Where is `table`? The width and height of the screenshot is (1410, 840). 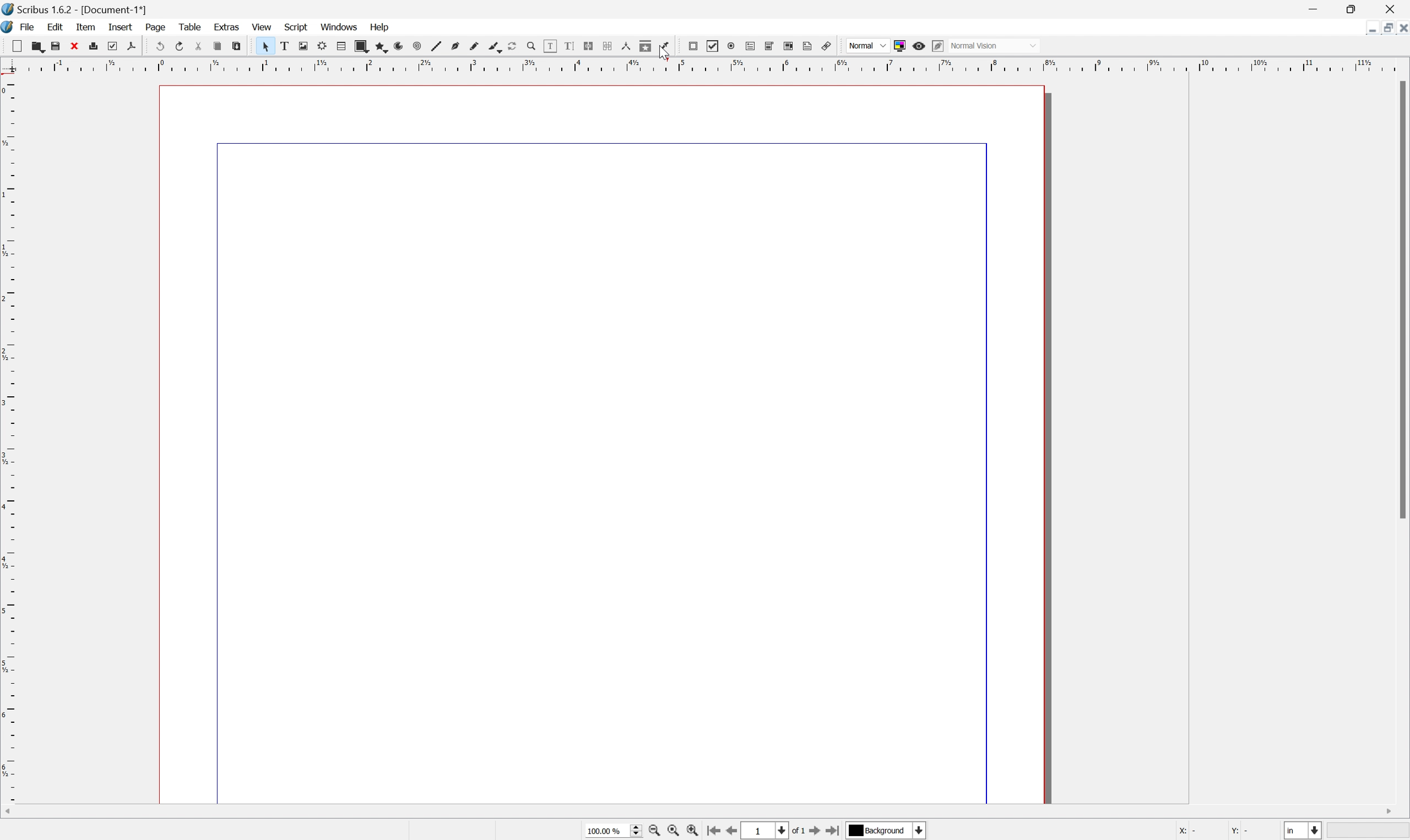 table is located at coordinates (341, 44).